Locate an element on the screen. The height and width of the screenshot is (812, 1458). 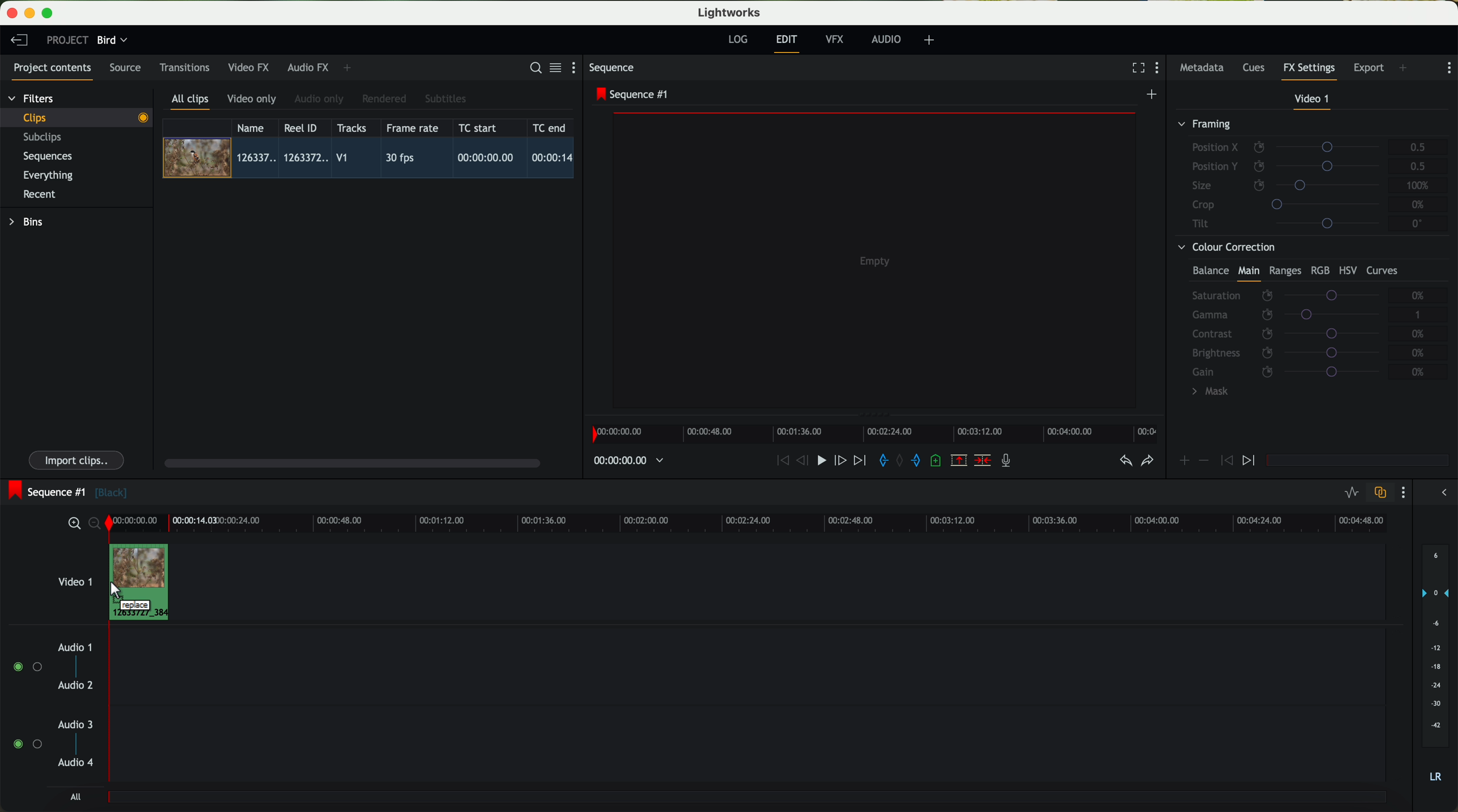
redo is located at coordinates (1147, 462).